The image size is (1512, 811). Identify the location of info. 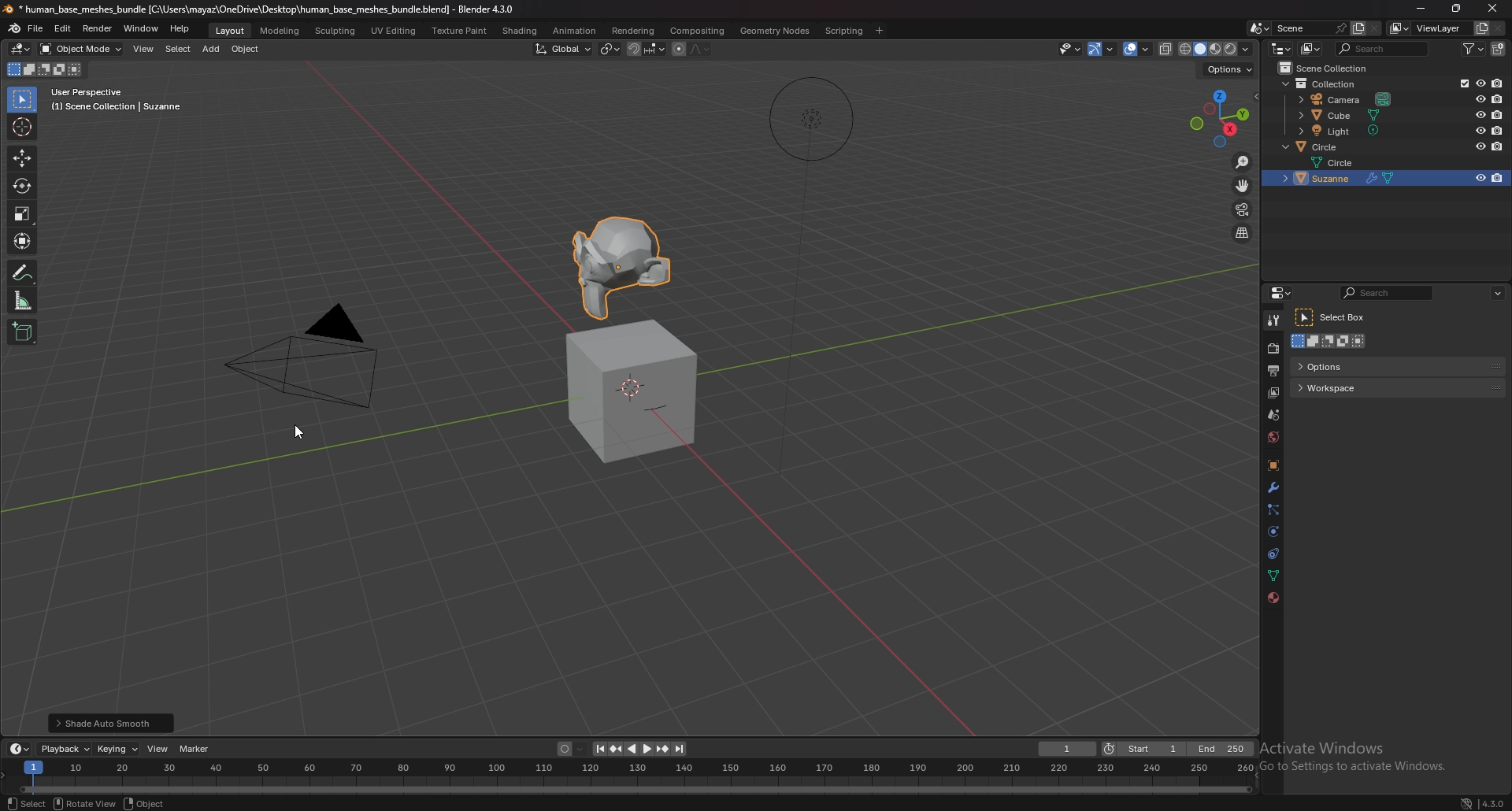
(117, 100).